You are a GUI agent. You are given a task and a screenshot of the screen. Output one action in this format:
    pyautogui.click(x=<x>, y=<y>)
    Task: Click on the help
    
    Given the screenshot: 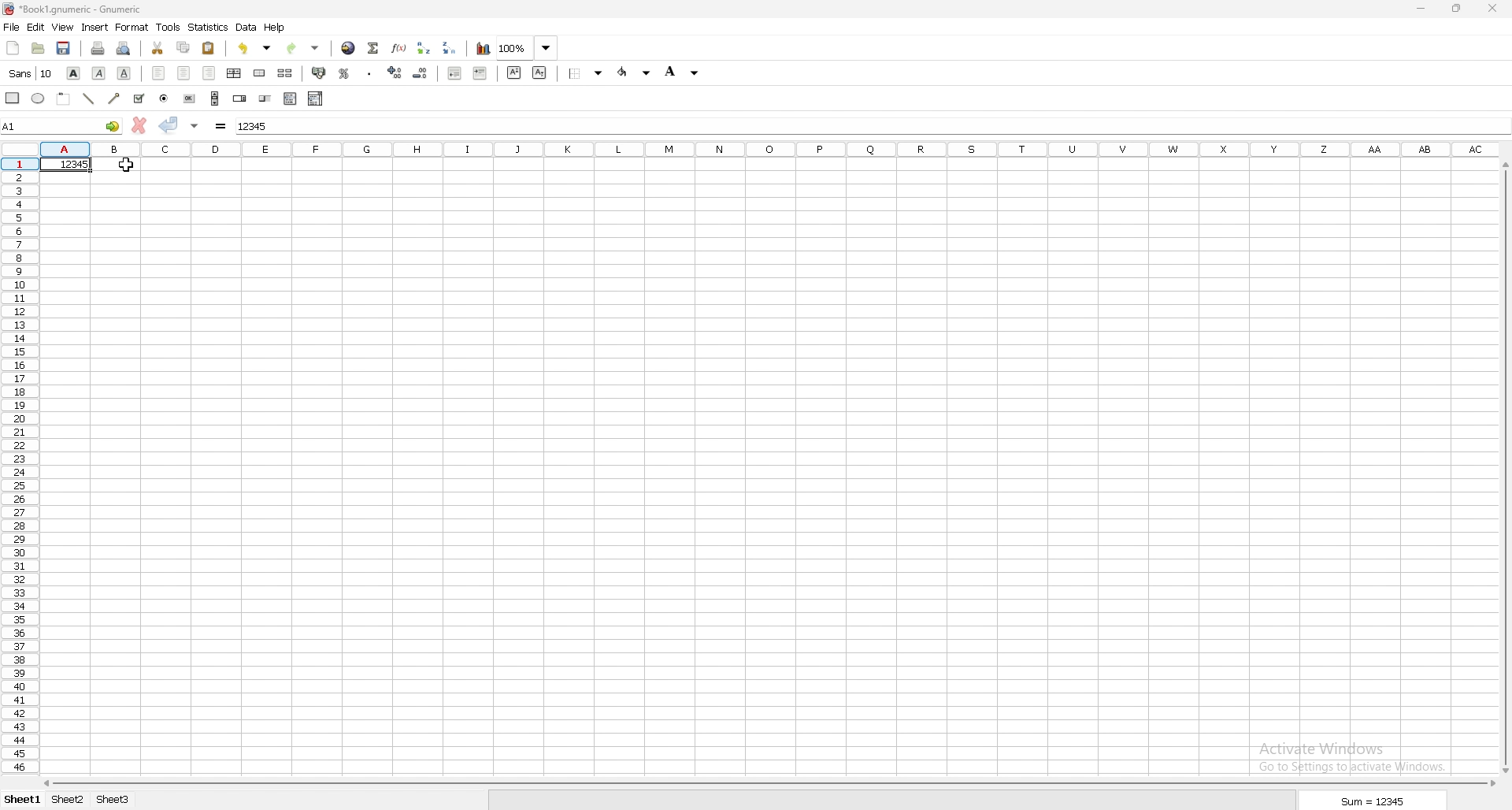 What is the action you would take?
    pyautogui.click(x=276, y=28)
    